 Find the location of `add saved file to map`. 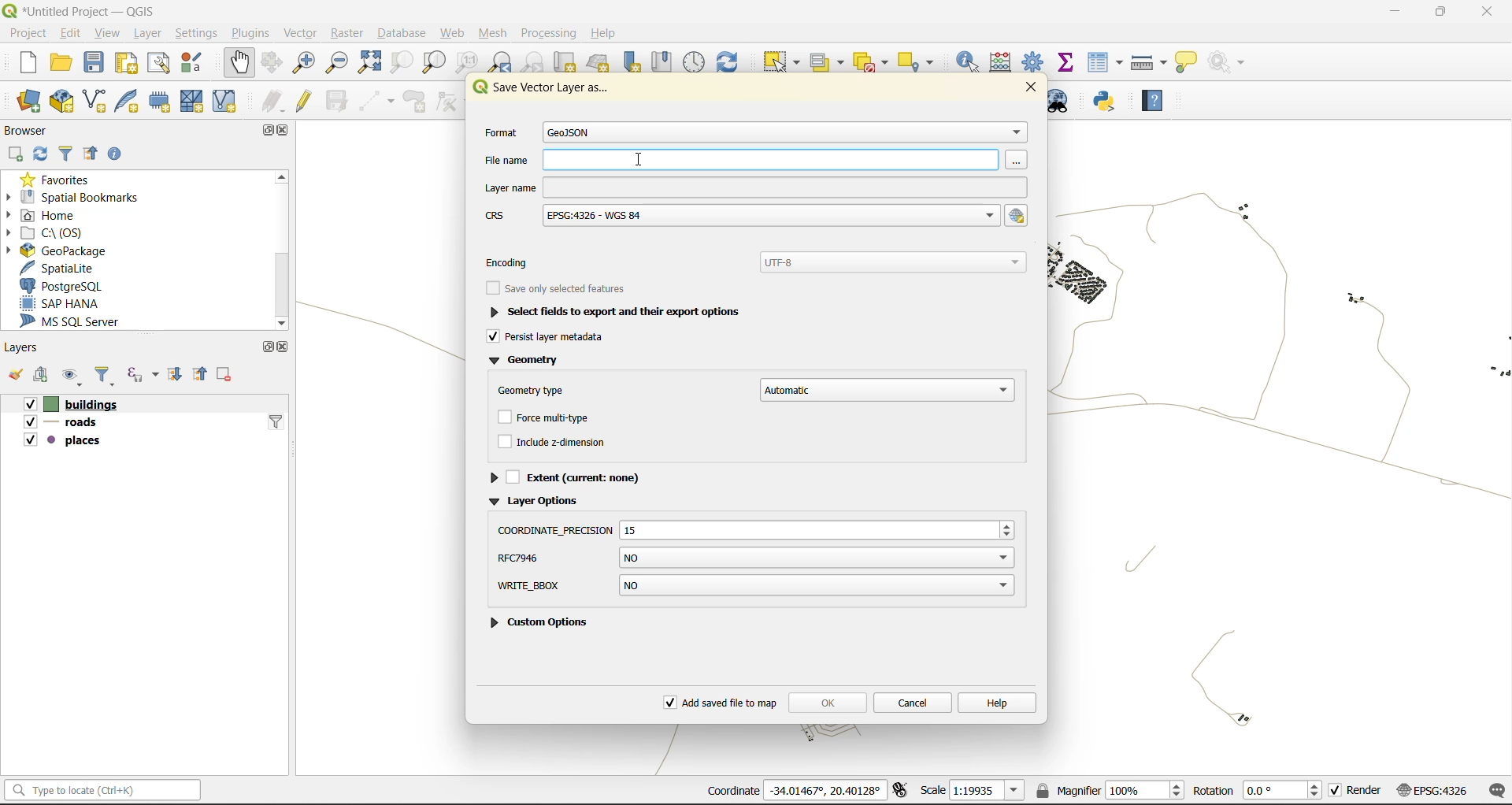

add saved file to map is located at coordinates (721, 703).